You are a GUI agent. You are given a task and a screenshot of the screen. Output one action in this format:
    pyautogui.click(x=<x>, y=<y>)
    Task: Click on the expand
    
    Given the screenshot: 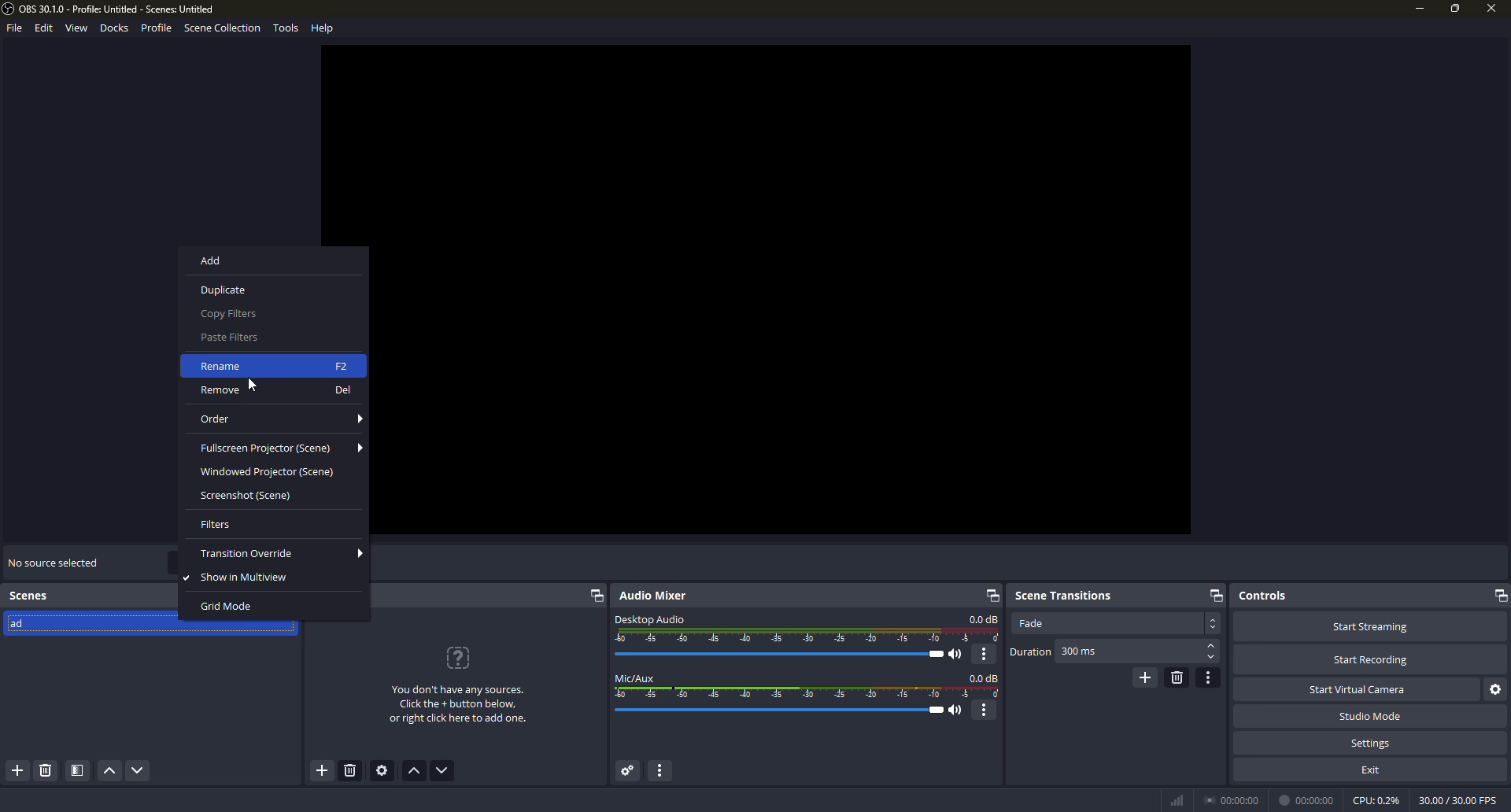 What is the action you would take?
    pyautogui.click(x=1214, y=595)
    